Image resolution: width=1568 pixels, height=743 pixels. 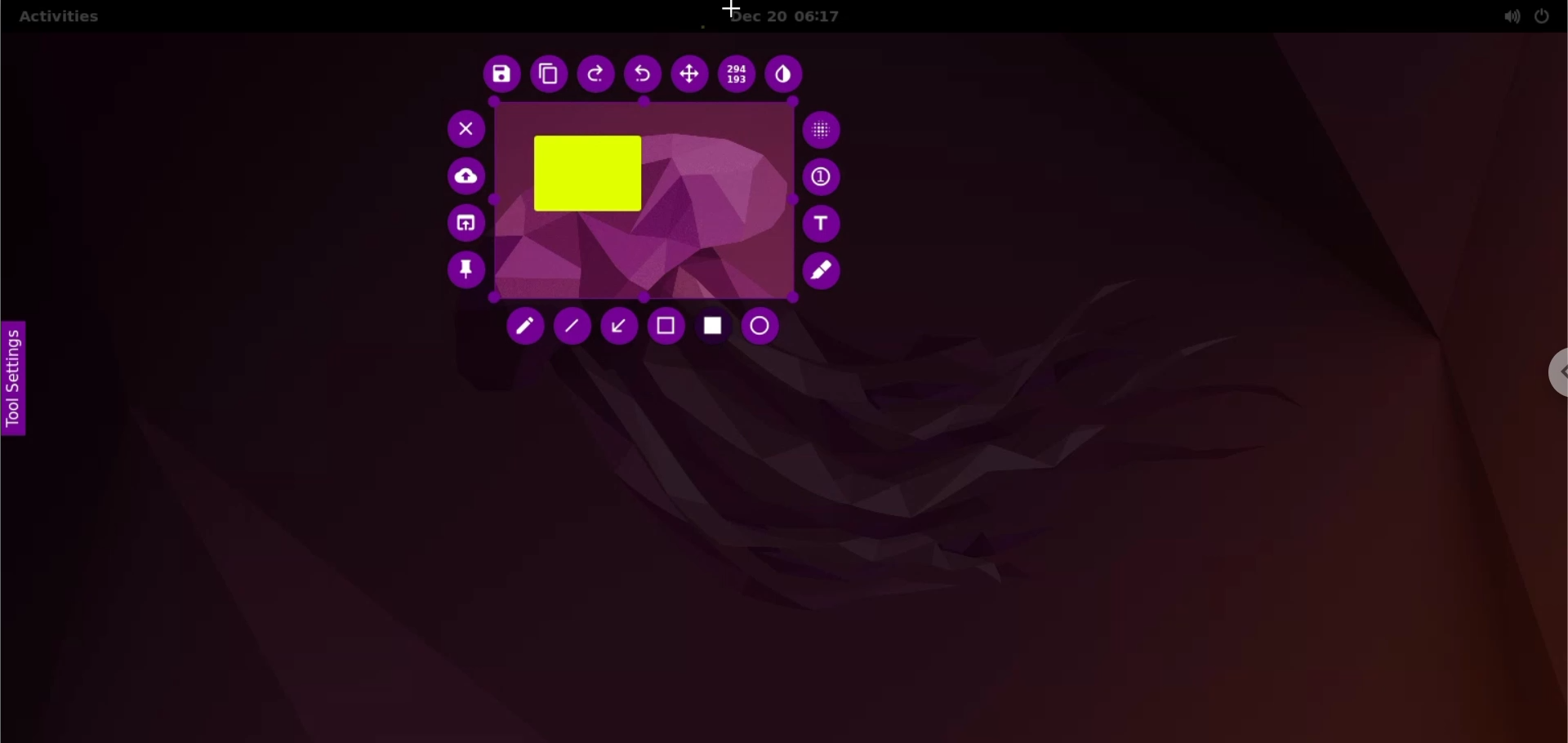 I want to click on rectangle, so click(x=589, y=174).